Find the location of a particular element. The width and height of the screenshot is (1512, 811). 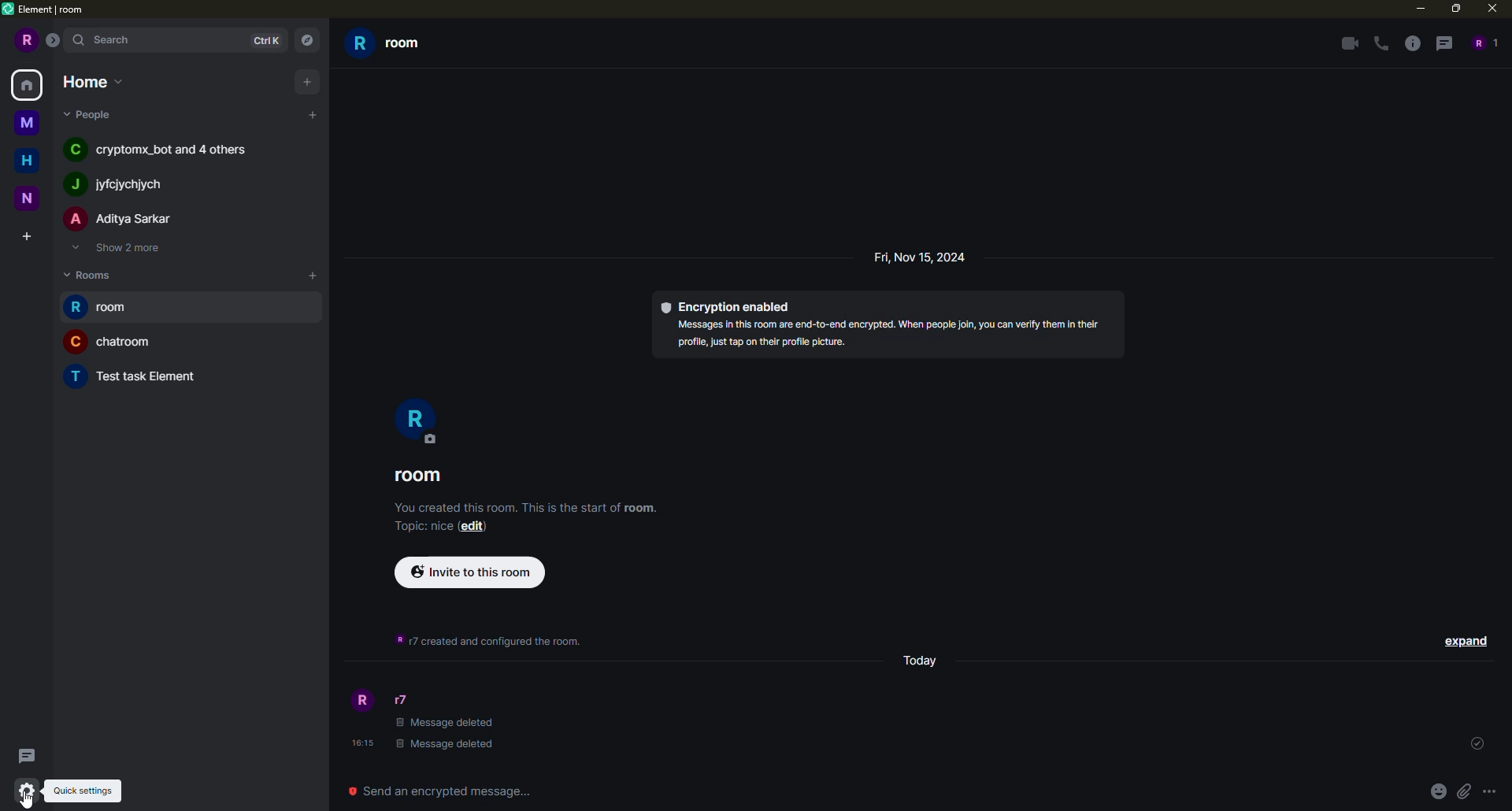

close is located at coordinates (1495, 8).